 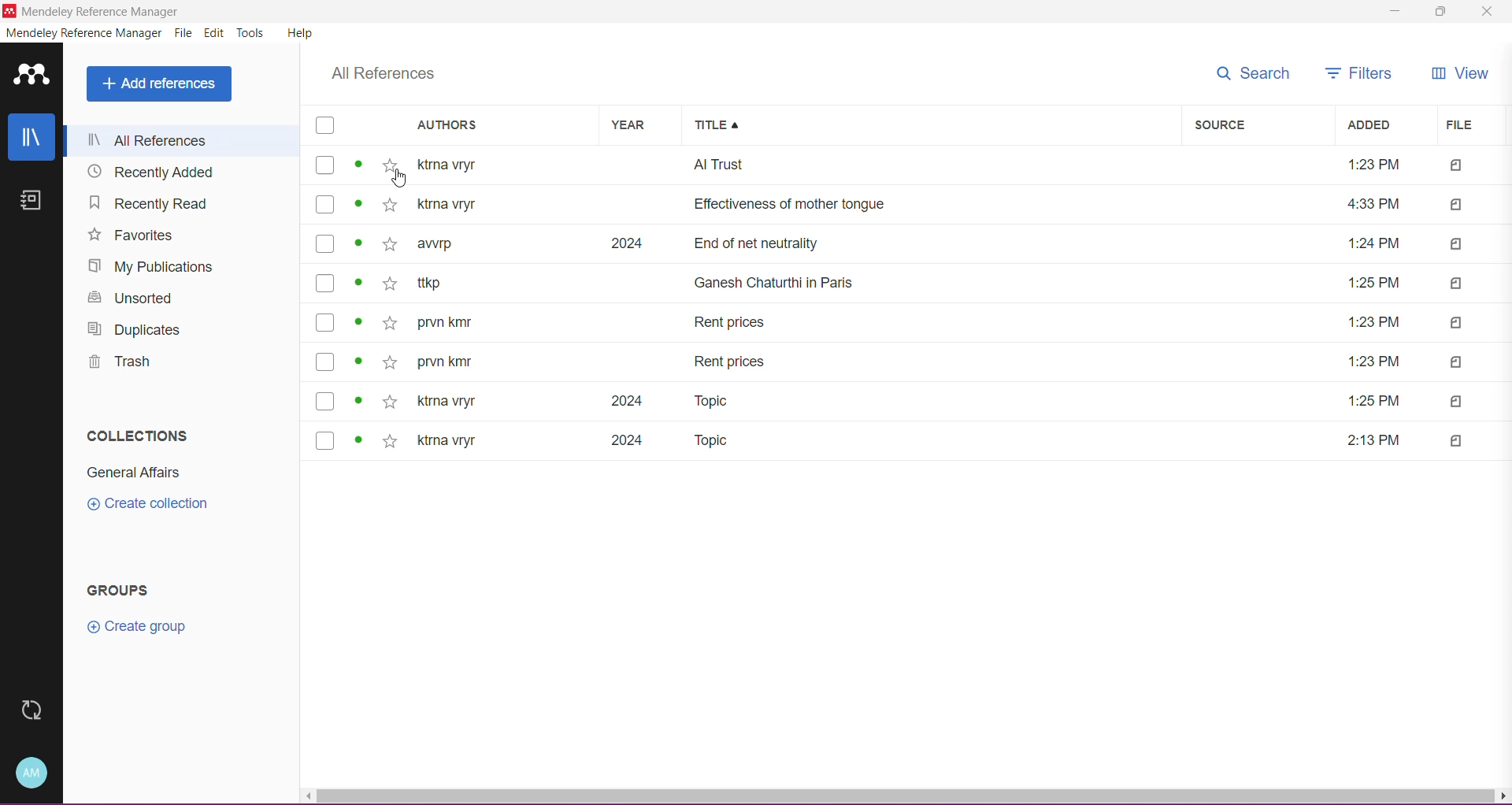 What do you see at coordinates (906, 796) in the screenshot?
I see `Horizontal Scroll Bar` at bounding box center [906, 796].